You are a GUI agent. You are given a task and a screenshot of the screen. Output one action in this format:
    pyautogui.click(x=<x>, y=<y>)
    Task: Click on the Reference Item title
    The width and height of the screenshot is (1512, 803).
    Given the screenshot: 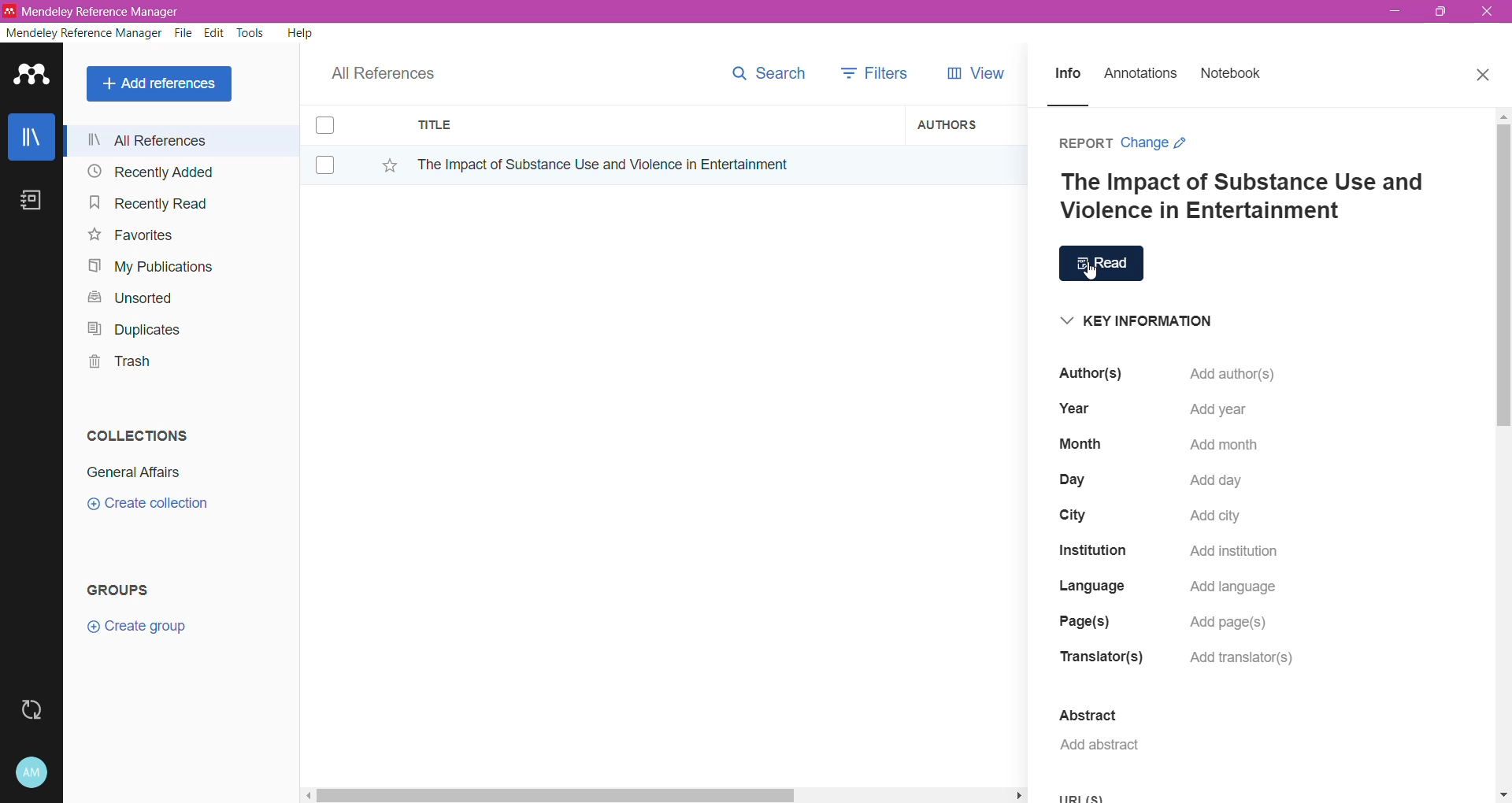 What is the action you would take?
    pyautogui.click(x=718, y=164)
    